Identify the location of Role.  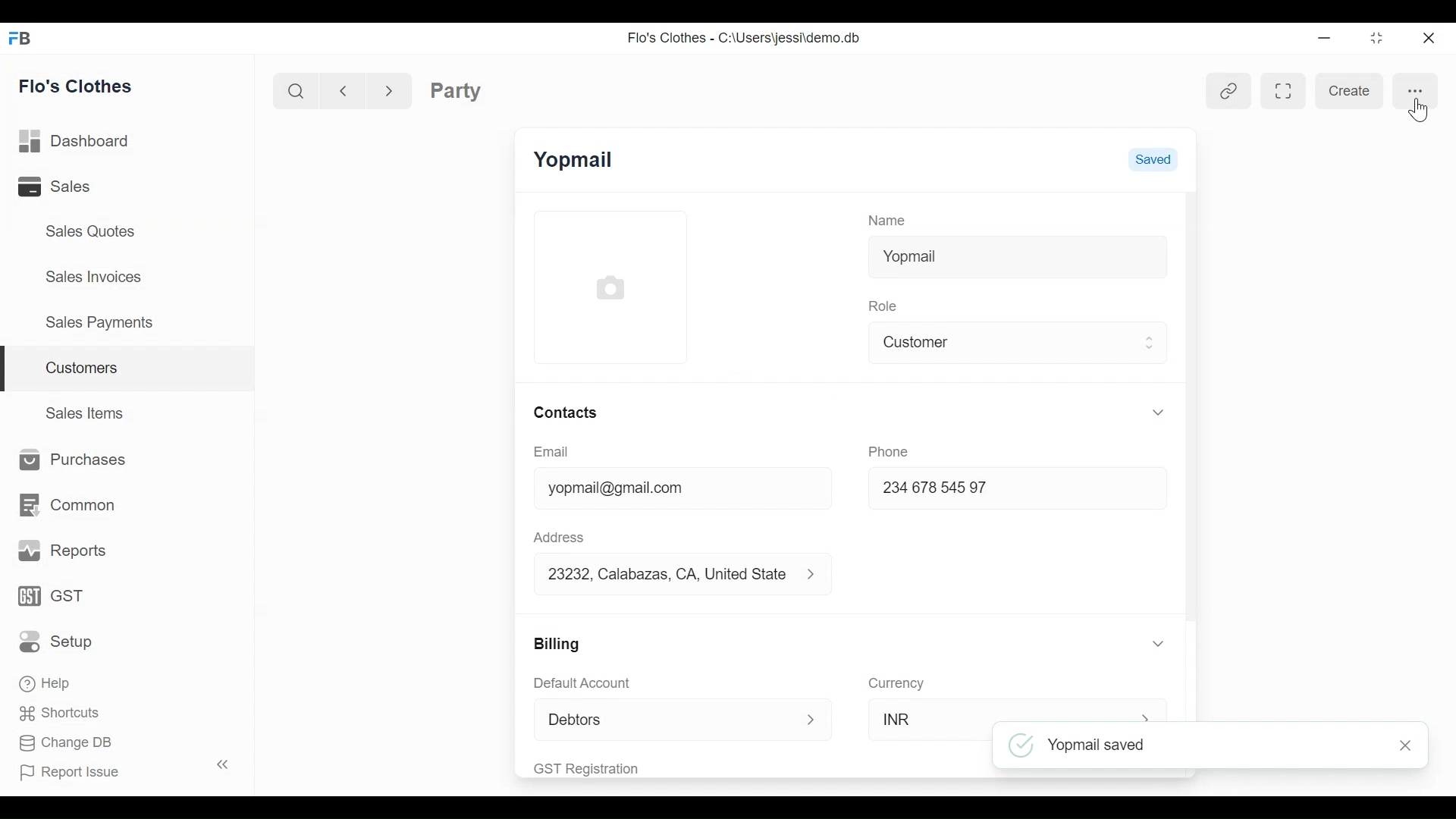
(885, 306).